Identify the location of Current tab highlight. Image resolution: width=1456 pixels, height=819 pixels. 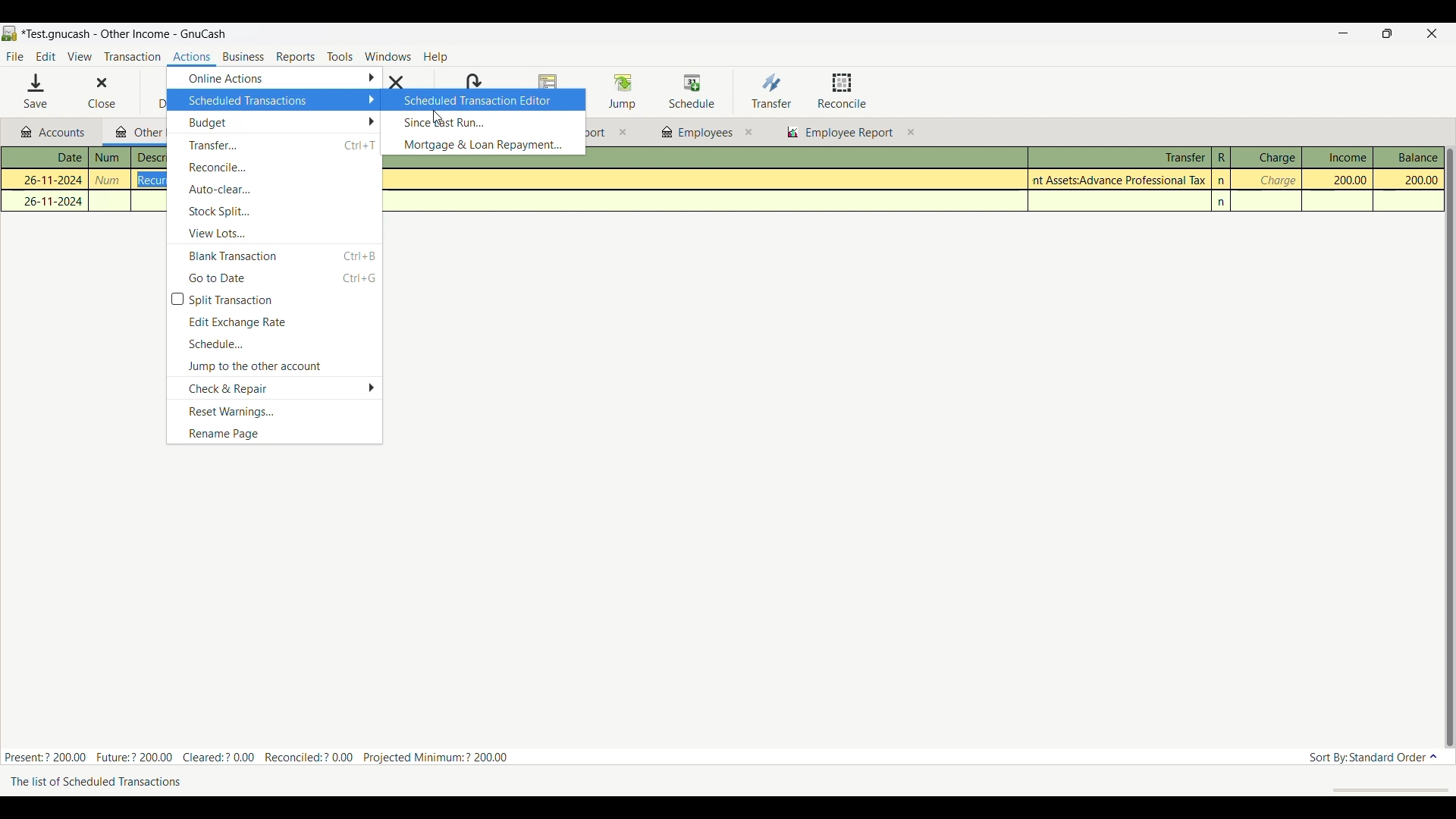
(133, 130).